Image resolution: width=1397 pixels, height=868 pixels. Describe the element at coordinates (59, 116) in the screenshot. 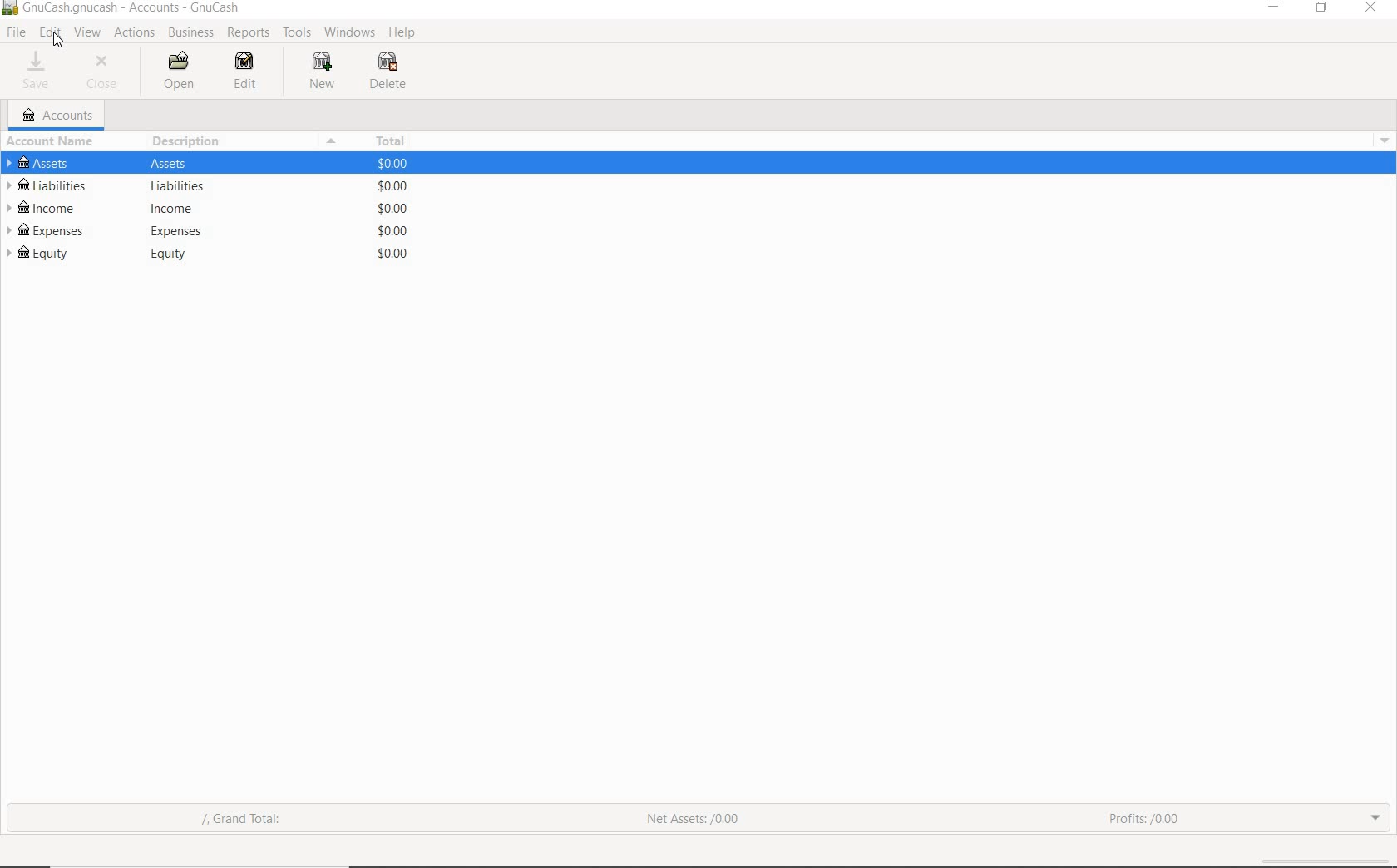

I see `ACCOUNTS` at that location.